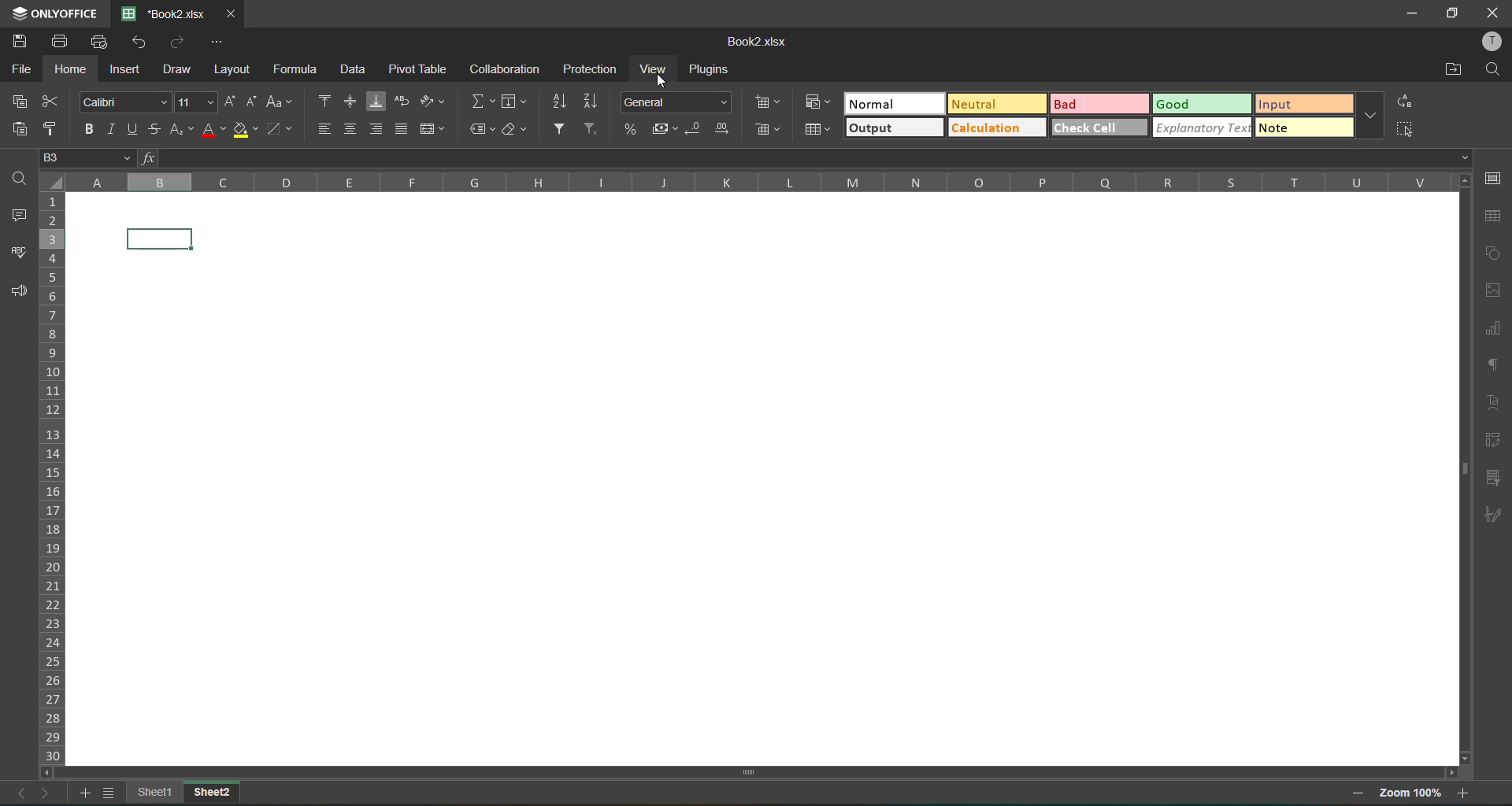 Image resolution: width=1512 pixels, height=806 pixels. What do you see at coordinates (24, 102) in the screenshot?
I see `copy` at bounding box center [24, 102].